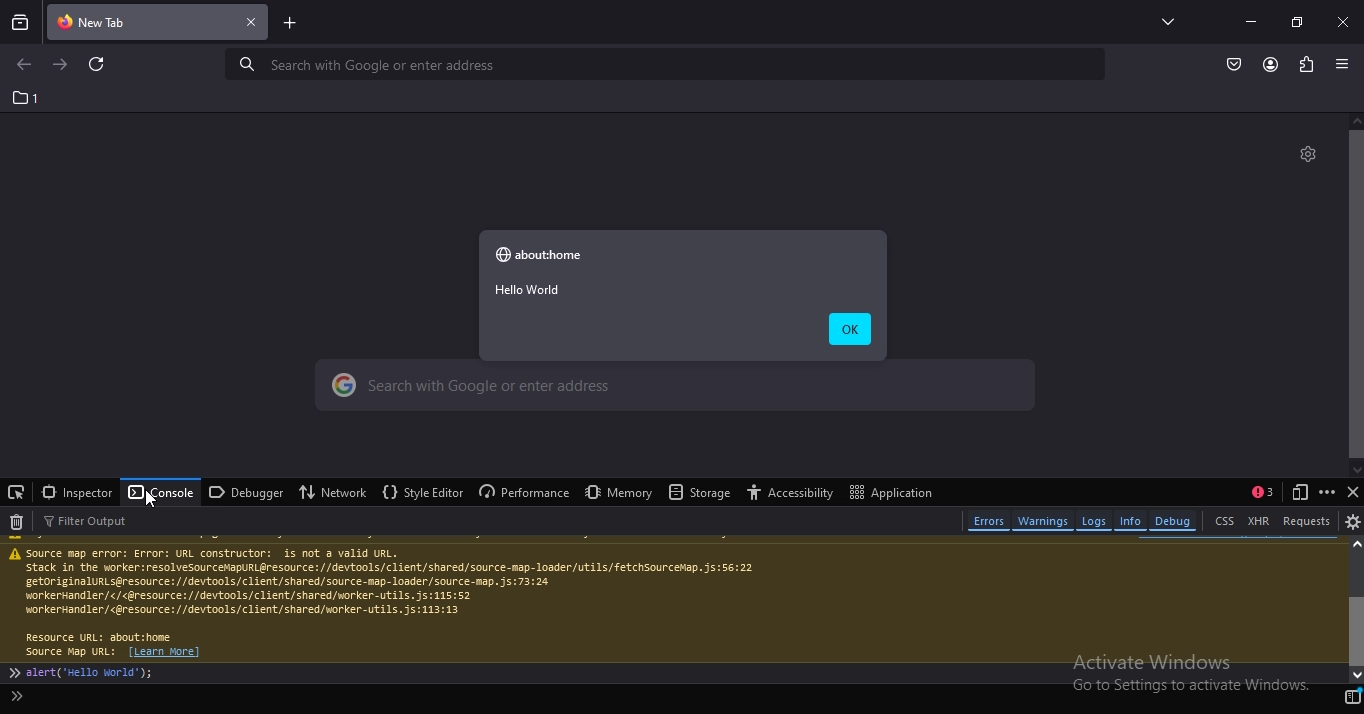 This screenshot has height=714, width=1364. I want to click on requests, so click(1309, 520).